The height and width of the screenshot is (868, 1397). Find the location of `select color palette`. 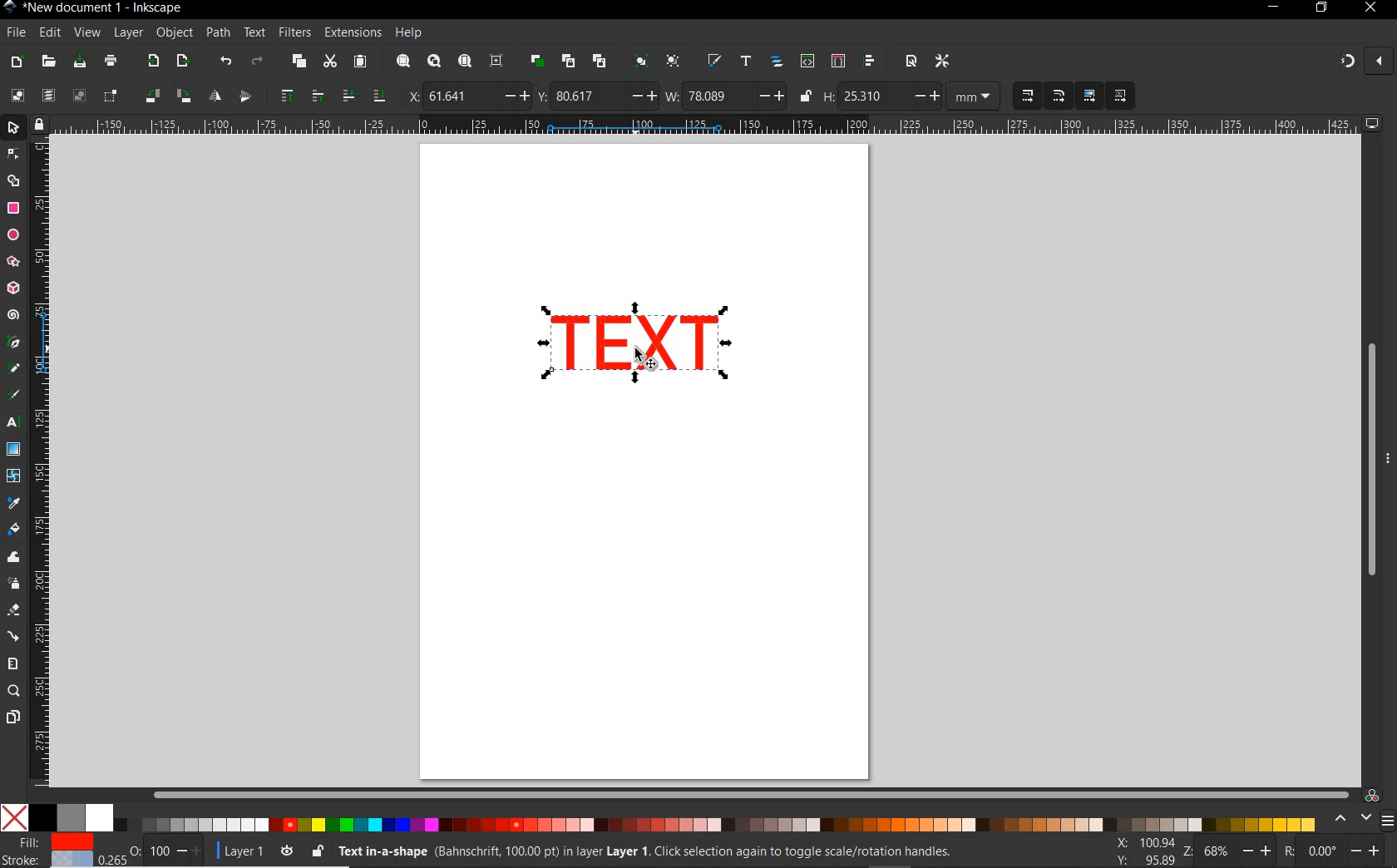

select color palette is located at coordinates (1361, 819).